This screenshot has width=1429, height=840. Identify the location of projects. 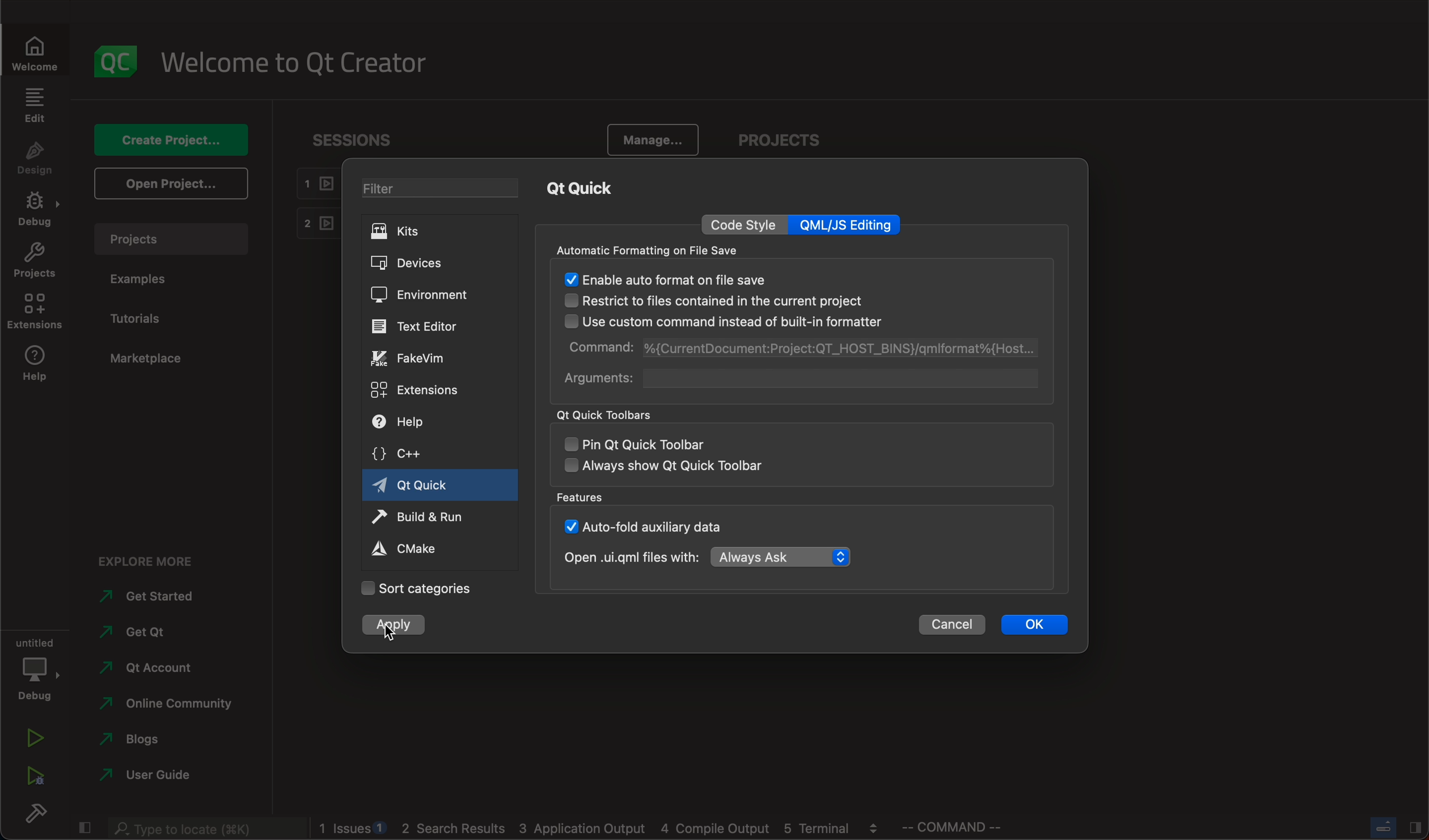
(35, 261).